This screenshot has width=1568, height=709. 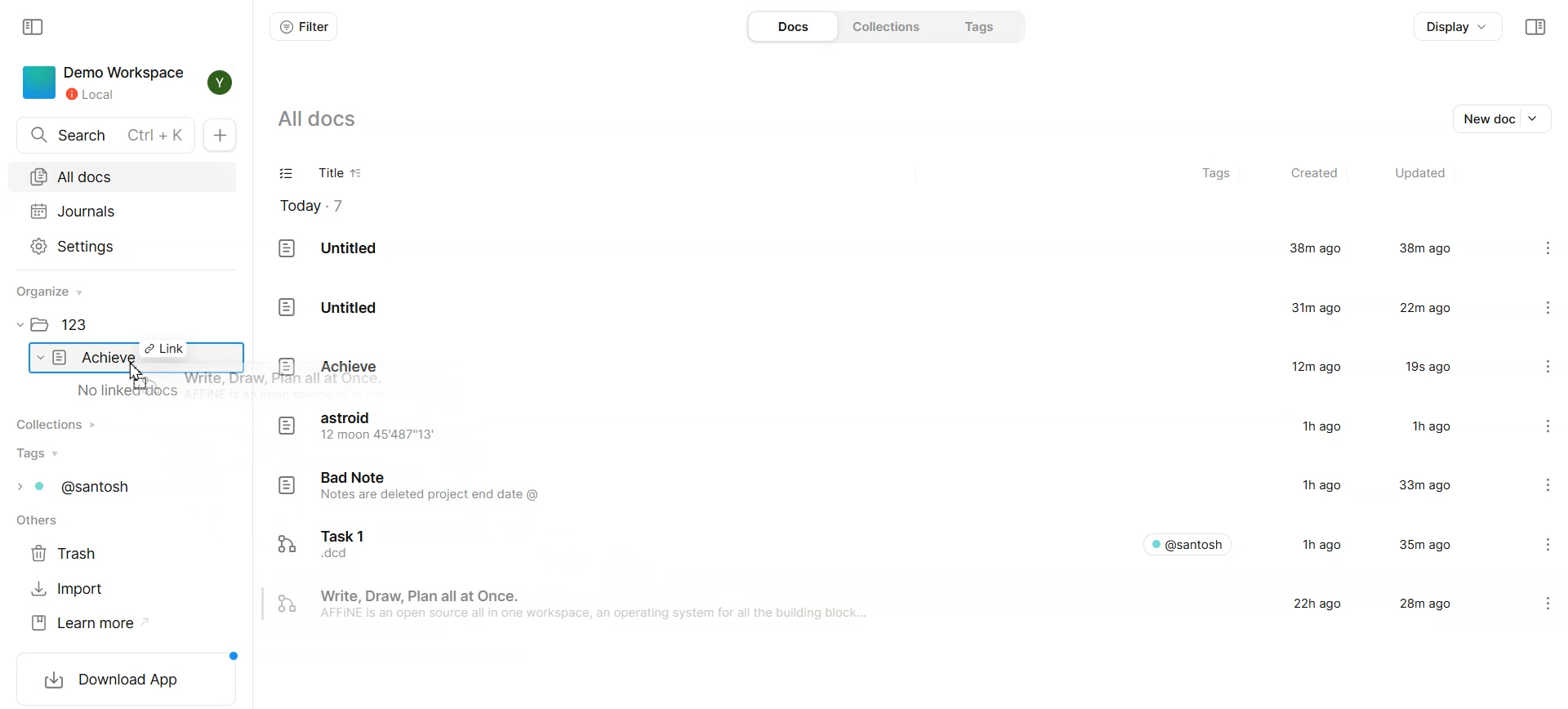 What do you see at coordinates (1459, 27) in the screenshot?
I see `Display` at bounding box center [1459, 27].